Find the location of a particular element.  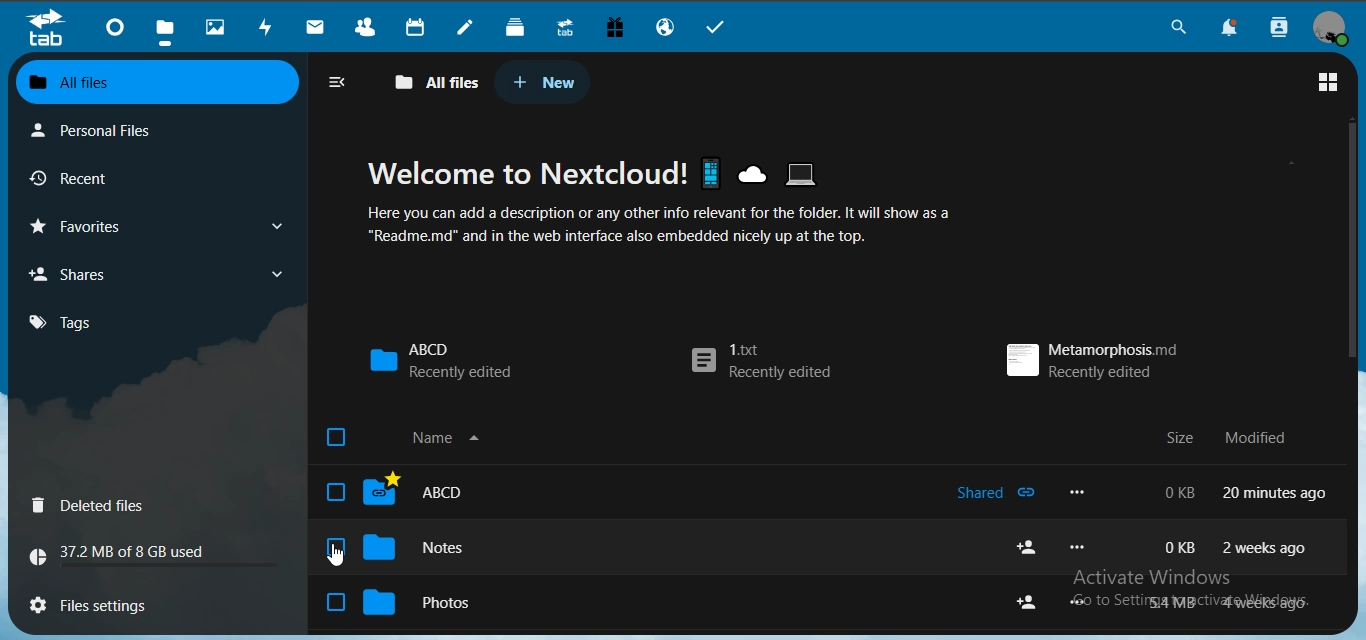

all files is located at coordinates (161, 81).